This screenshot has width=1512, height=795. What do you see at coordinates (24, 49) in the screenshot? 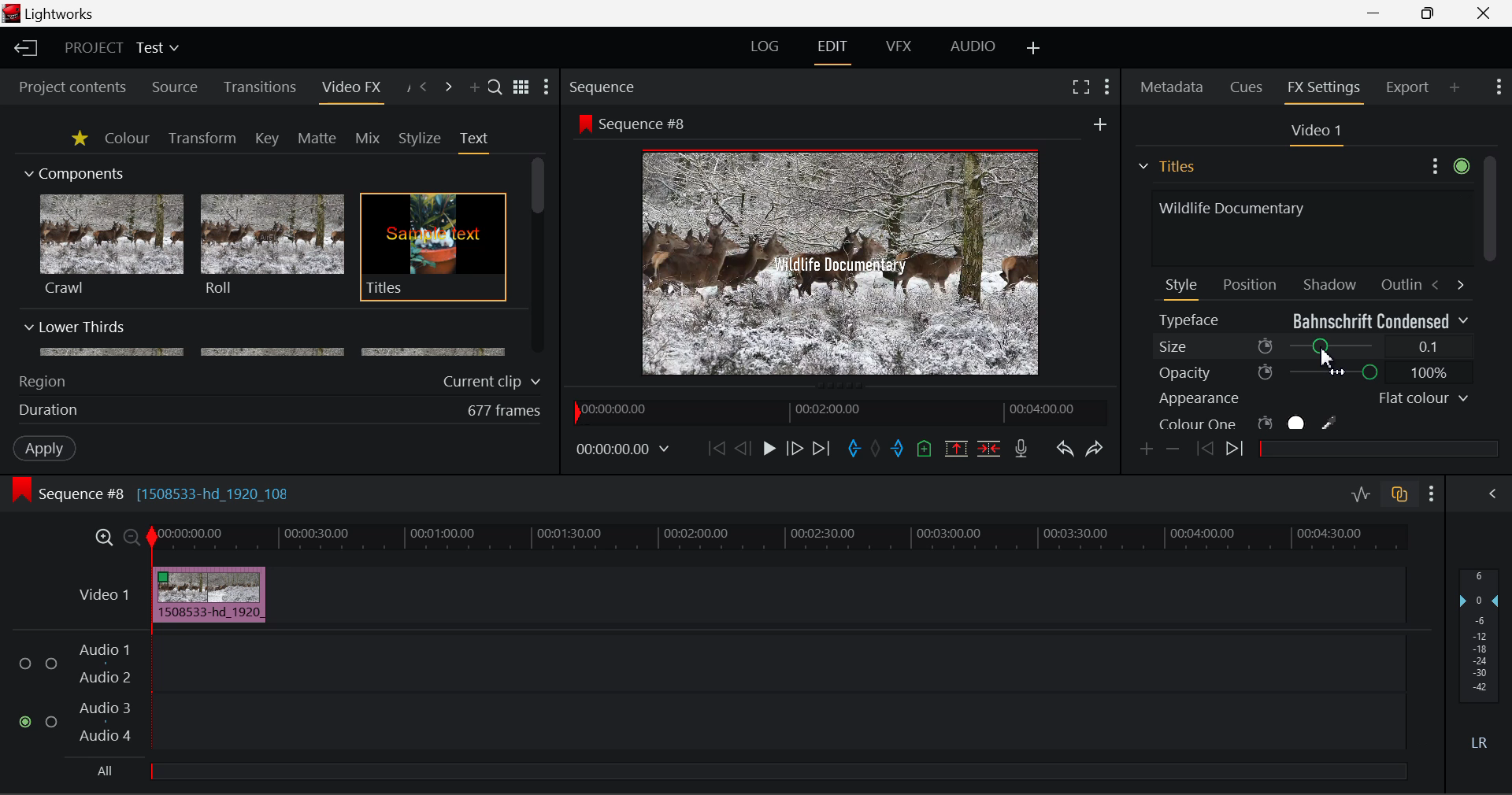
I see `Back to Homepage` at bounding box center [24, 49].